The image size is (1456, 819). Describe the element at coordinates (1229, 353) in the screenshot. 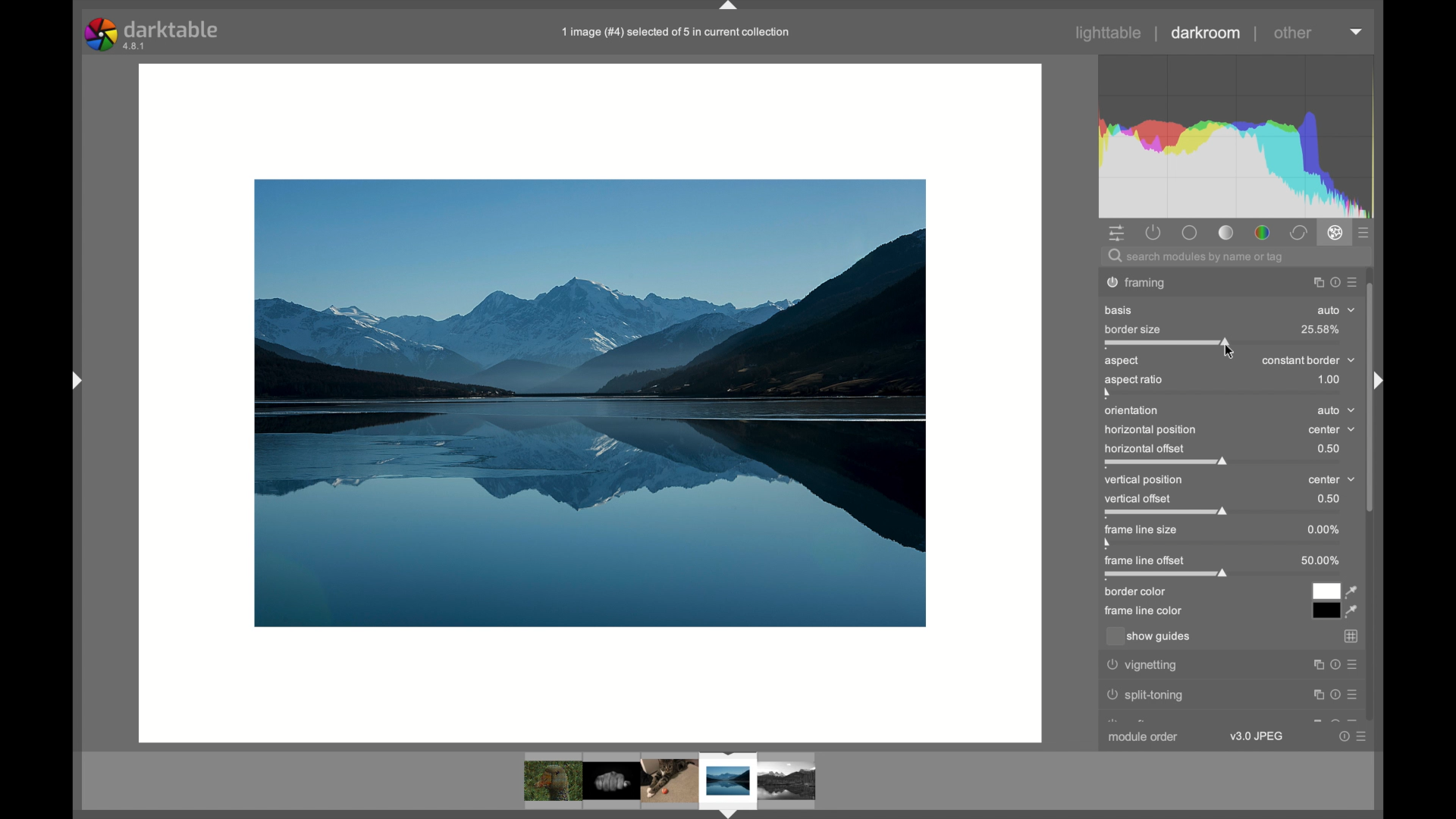

I see `cursor` at that location.